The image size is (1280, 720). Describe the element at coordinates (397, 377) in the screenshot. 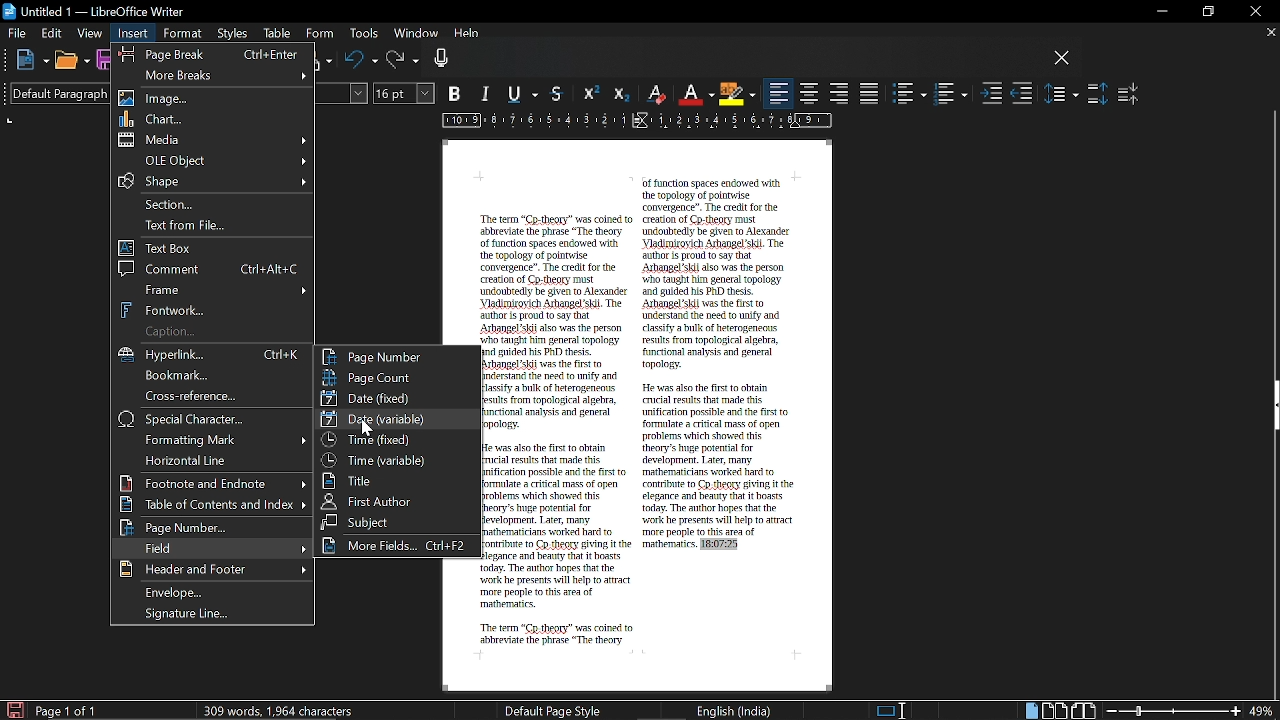

I see `Page count` at that location.